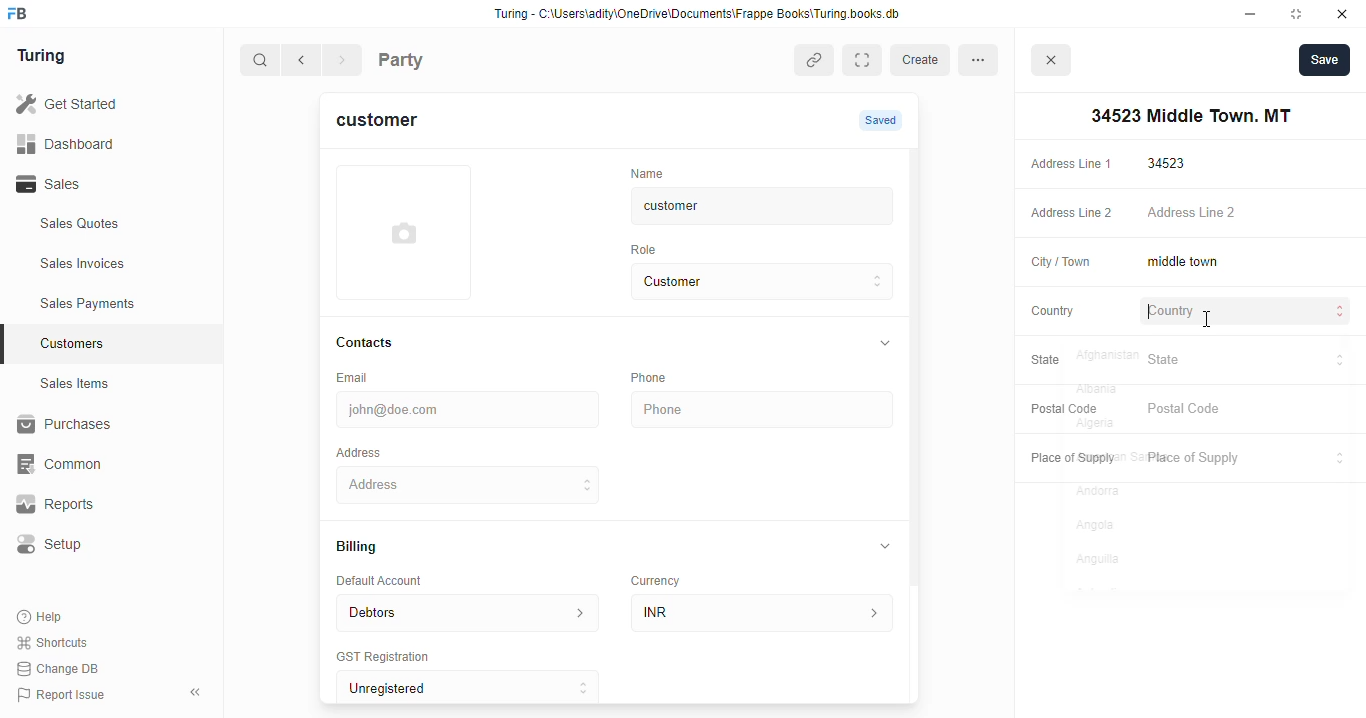  What do you see at coordinates (471, 407) in the screenshot?
I see `john@doe.com` at bounding box center [471, 407].